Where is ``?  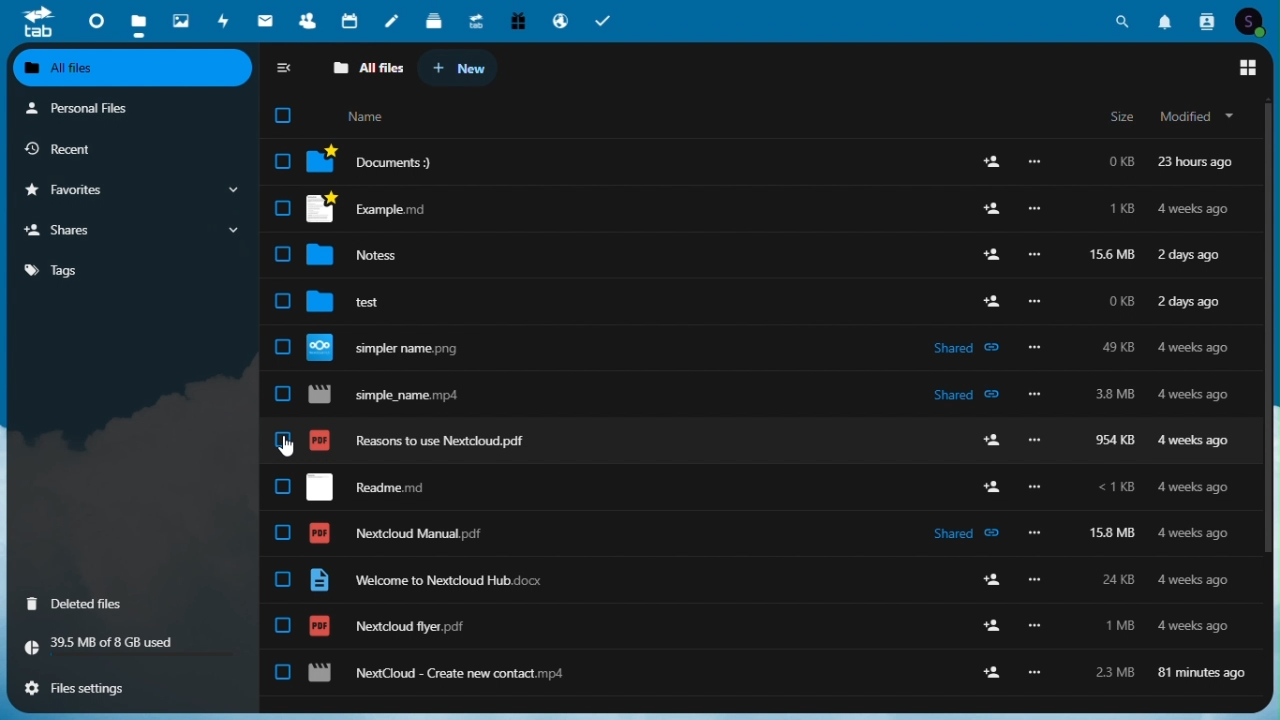  is located at coordinates (1032, 396).